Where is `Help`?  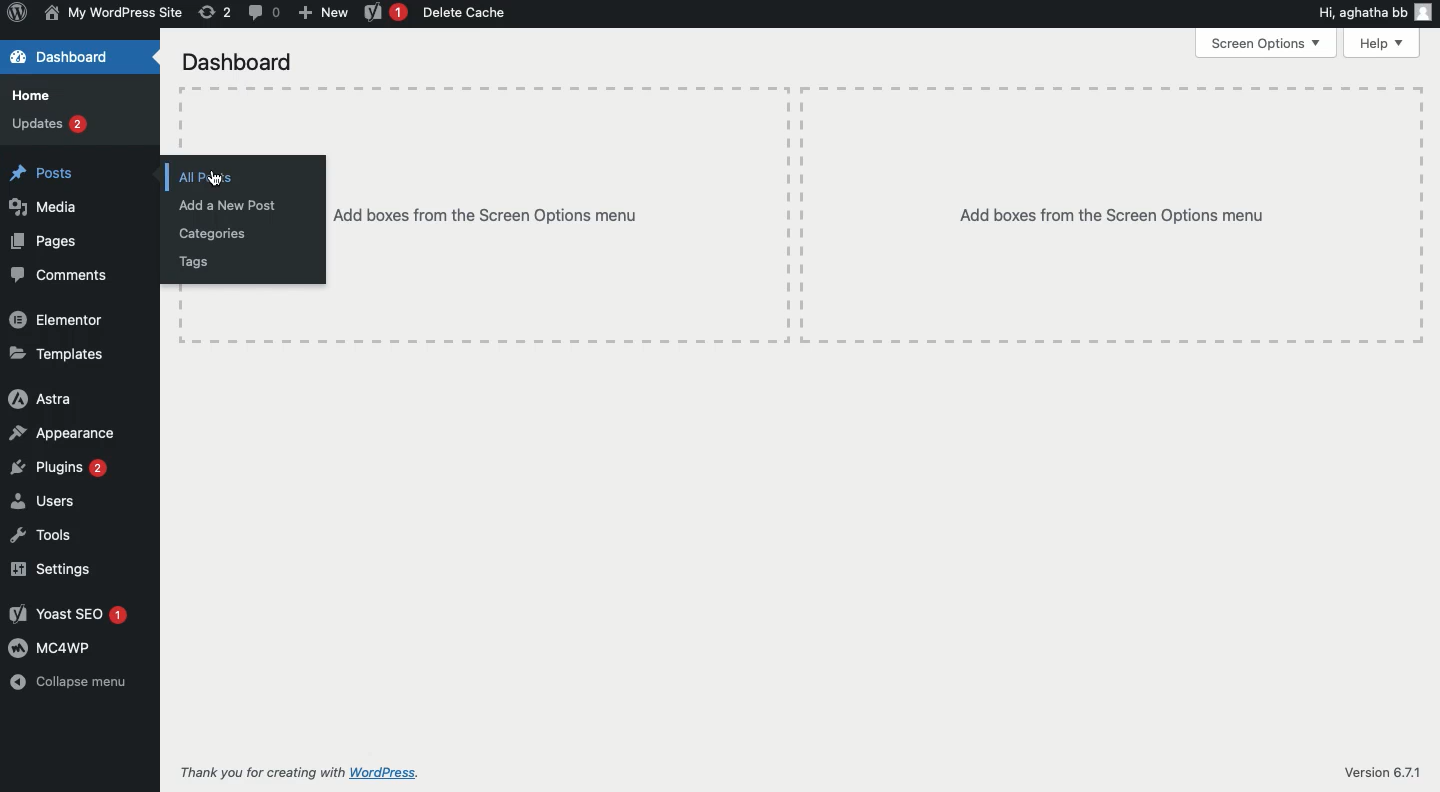 Help is located at coordinates (1386, 43).